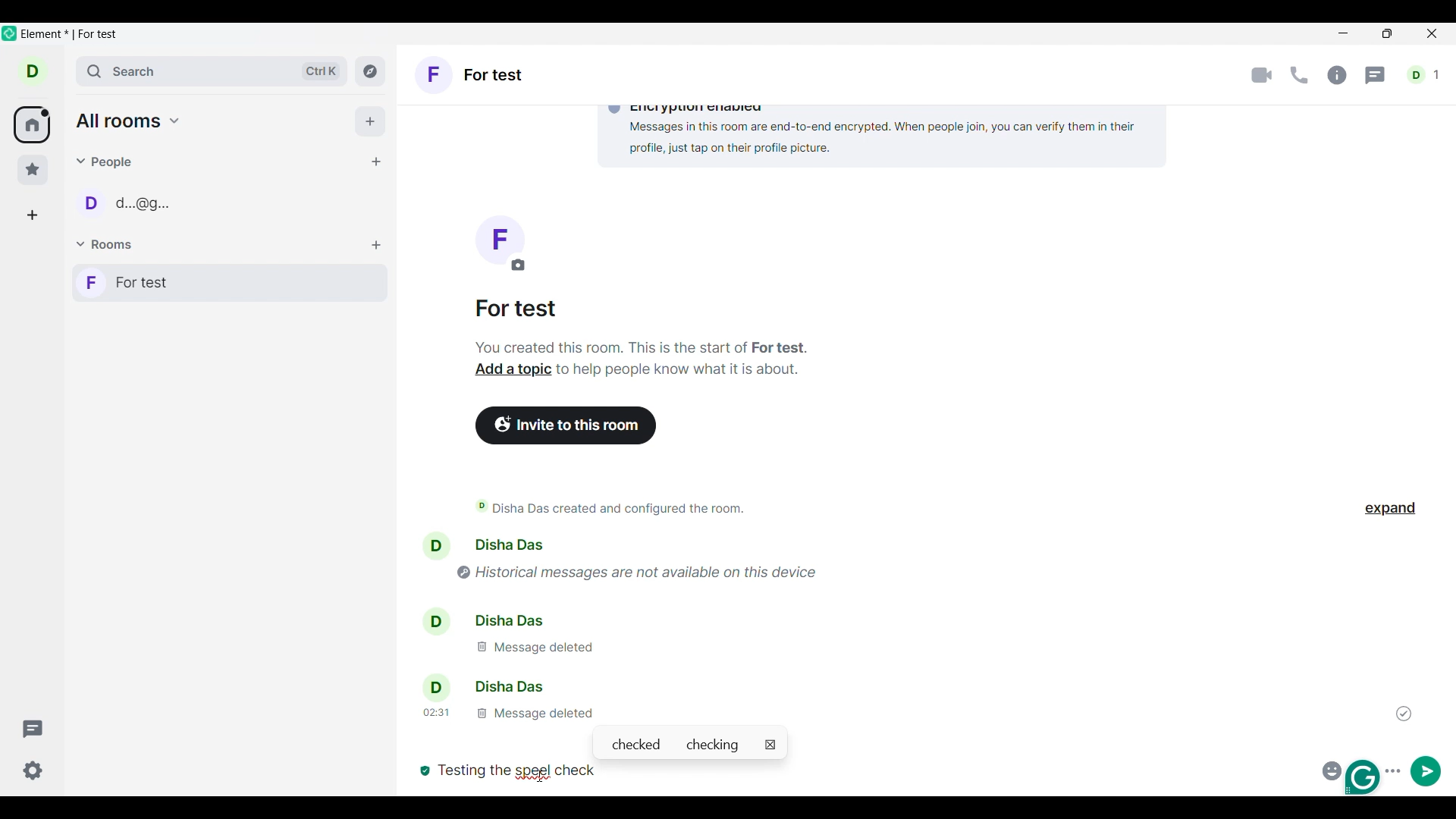 Image resolution: width=1456 pixels, height=819 pixels. What do you see at coordinates (33, 71) in the screenshot?
I see `d` at bounding box center [33, 71].